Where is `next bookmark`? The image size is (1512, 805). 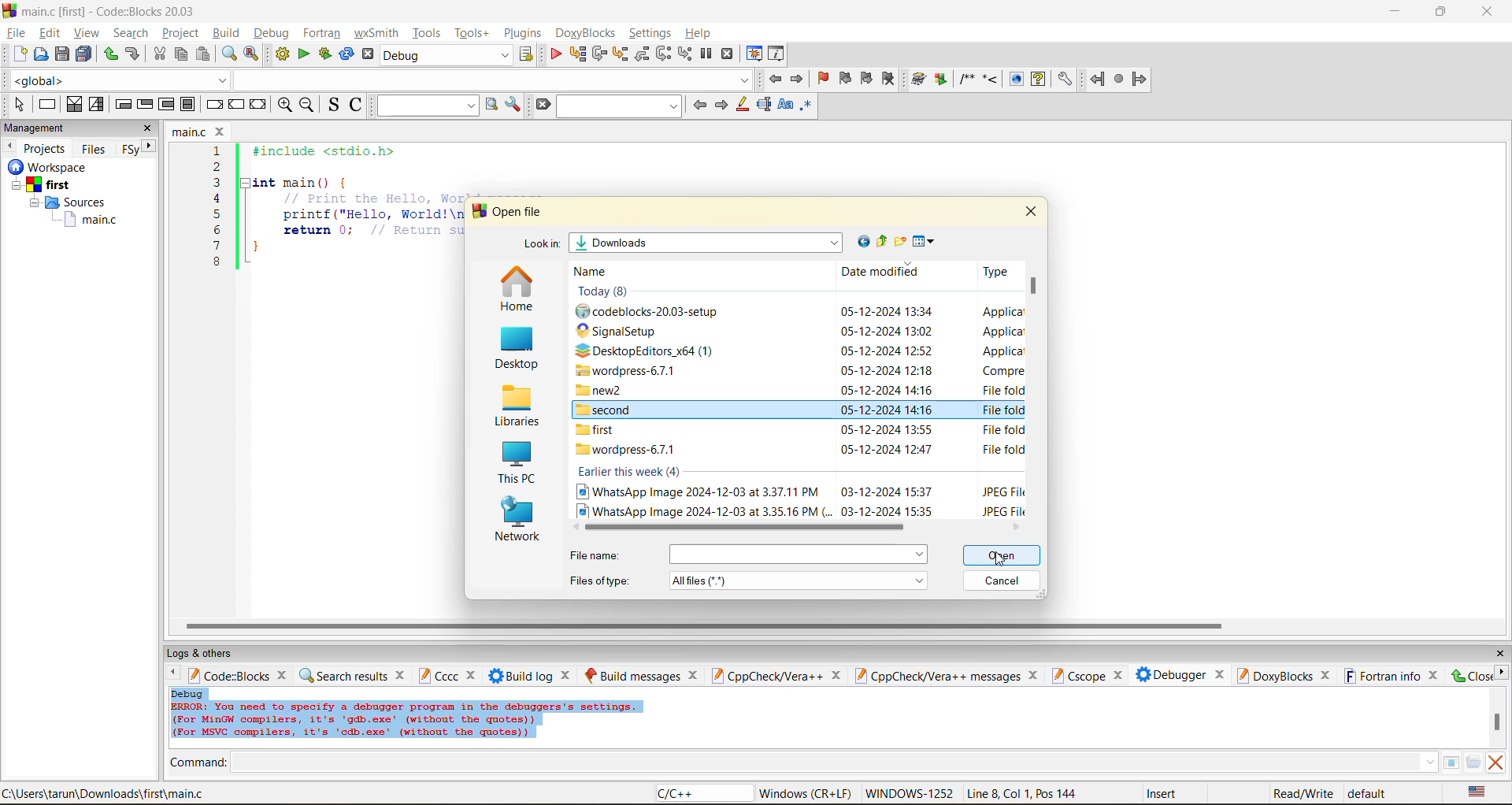
next bookmark is located at coordinates (868, 76).